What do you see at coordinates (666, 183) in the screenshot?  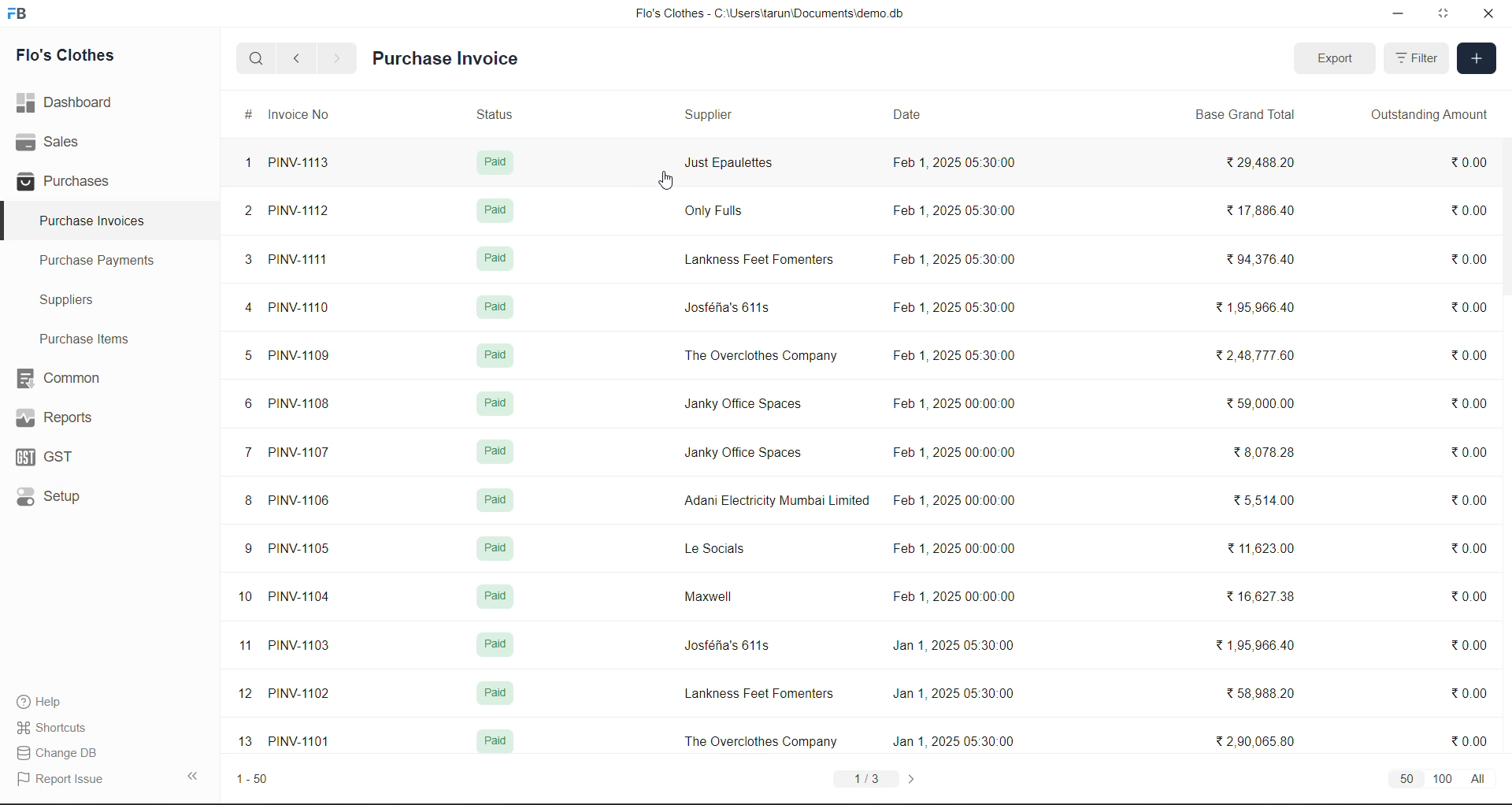 I see `cursor` at bounding box center [666, 183].